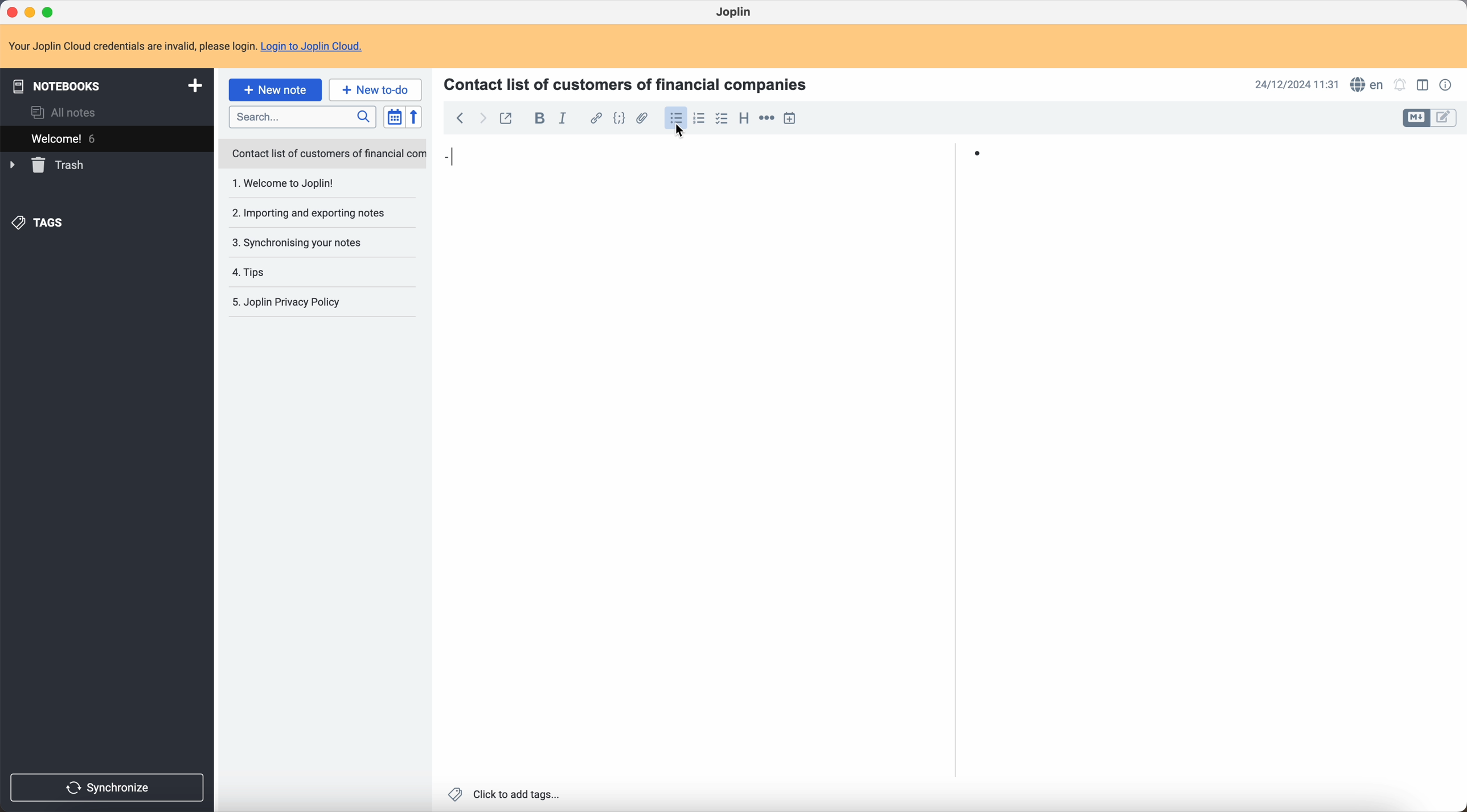 Image resolution: width=1467 pixels, height=812 pixels. What do you see at coordinates (714, 157) in the screenshot?
I see `bullet point` at bounding box center [714, 157].